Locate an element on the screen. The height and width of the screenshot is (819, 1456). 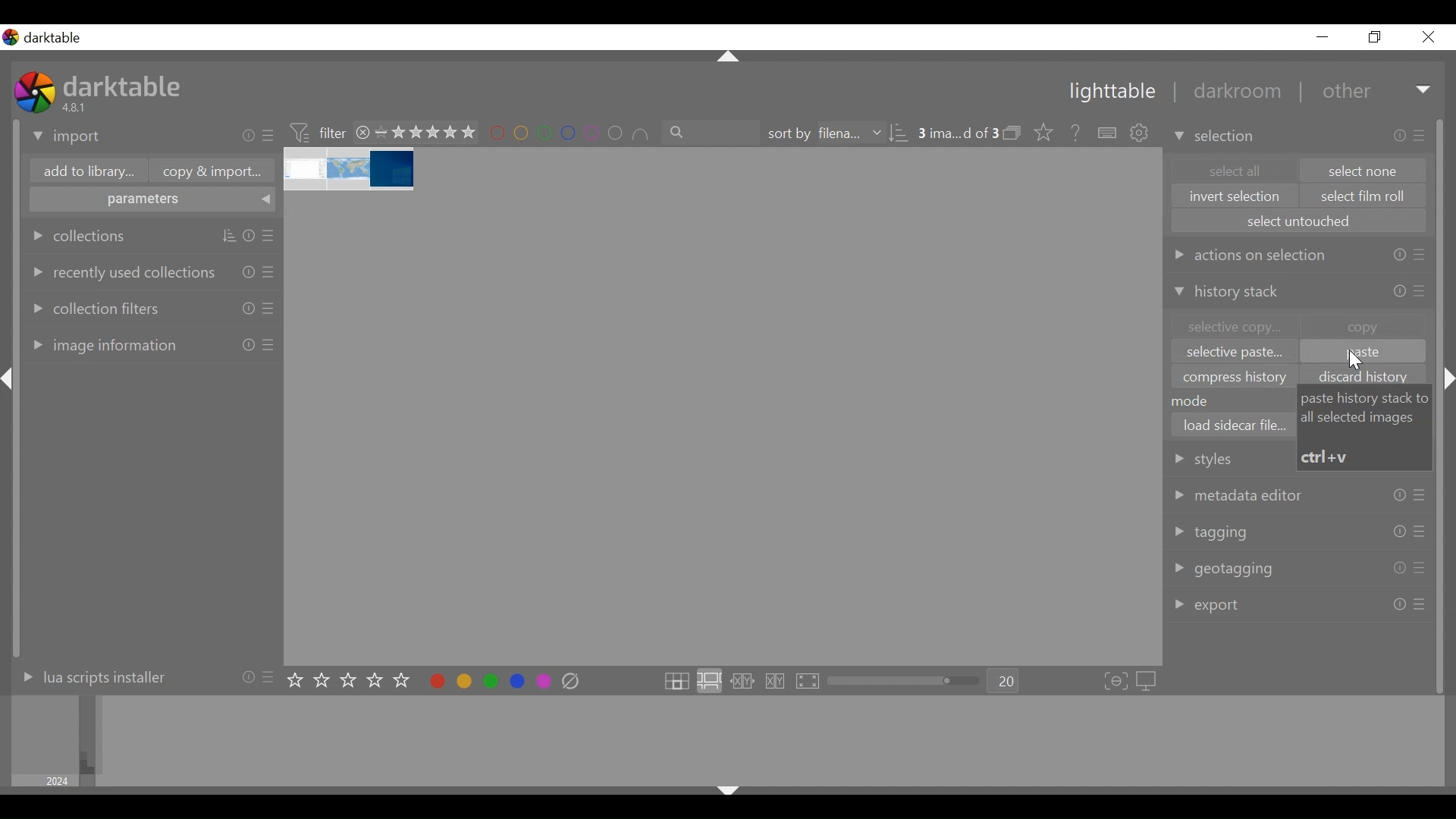
toggle color label is located at coordinates (486, 680).